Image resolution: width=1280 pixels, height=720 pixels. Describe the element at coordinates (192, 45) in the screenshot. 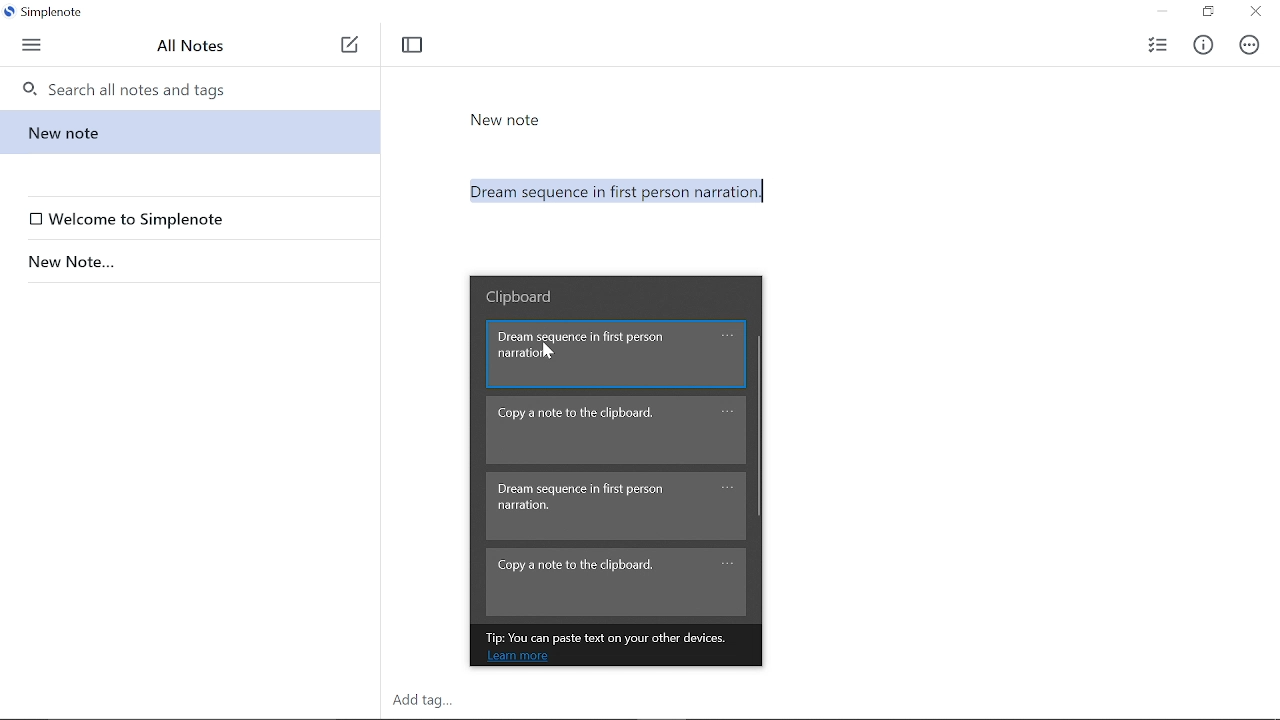

I see `All notes` at that location.